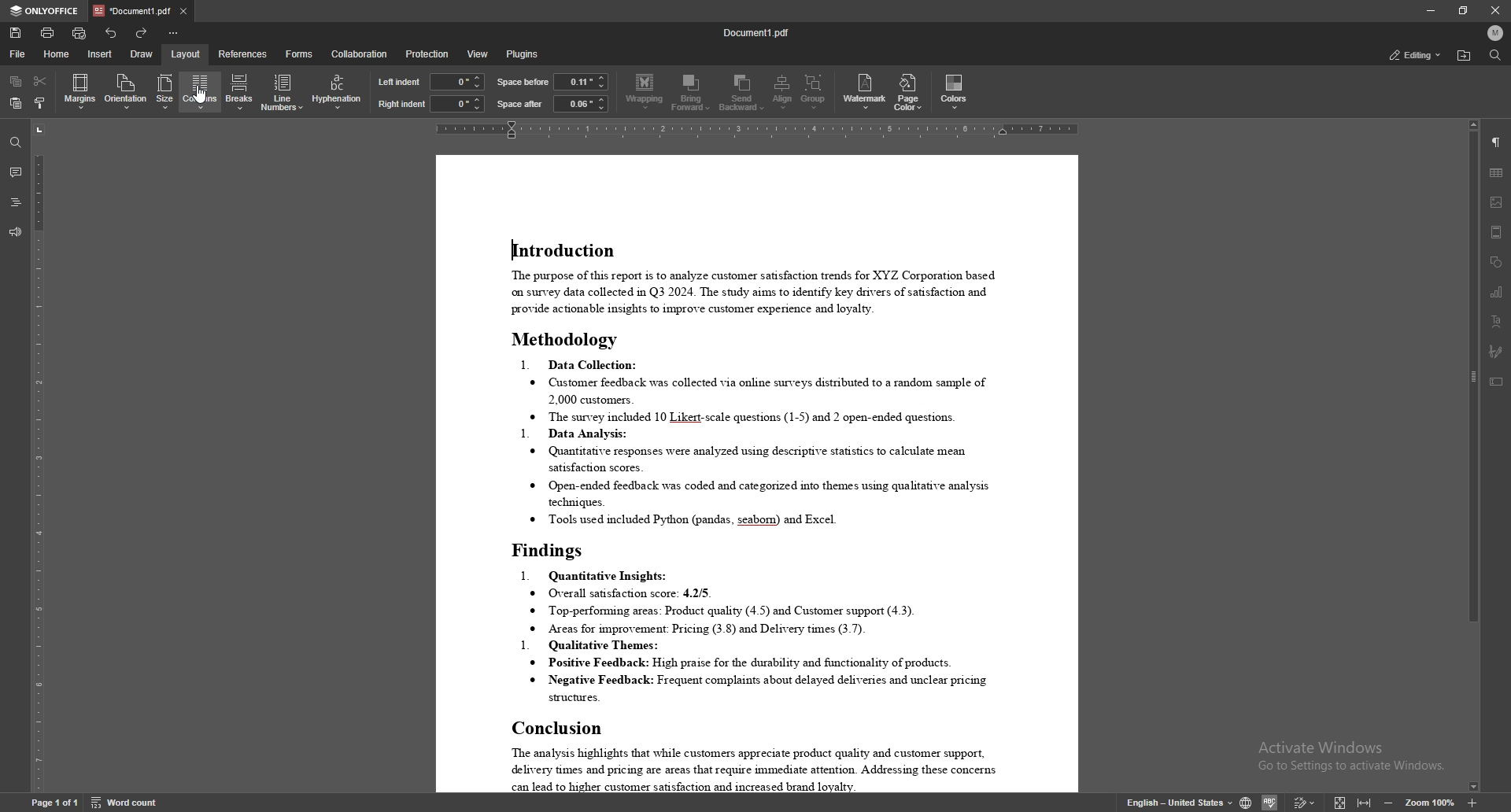 The width and height of the screenshot is (1511, 812). I want to click on quick print, so click(79, 34).